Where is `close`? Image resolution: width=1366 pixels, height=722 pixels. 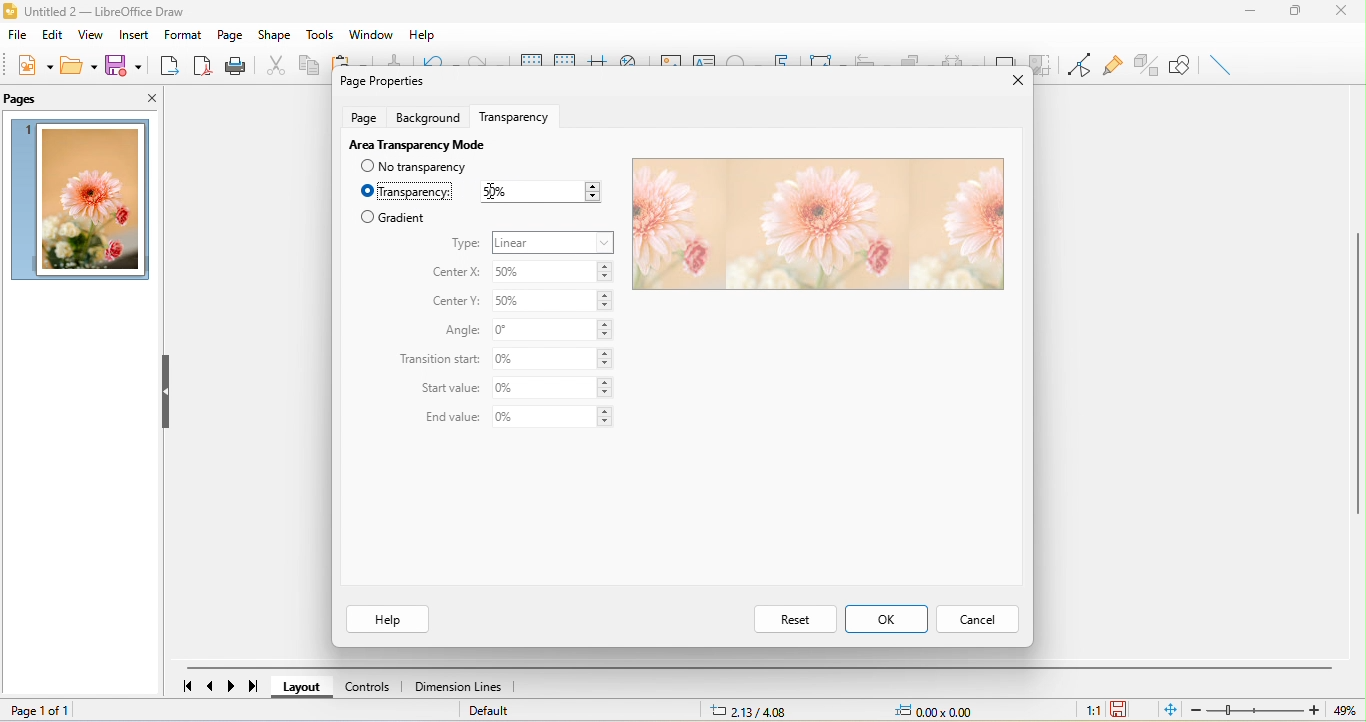 close is located at coordinates (138, 96).